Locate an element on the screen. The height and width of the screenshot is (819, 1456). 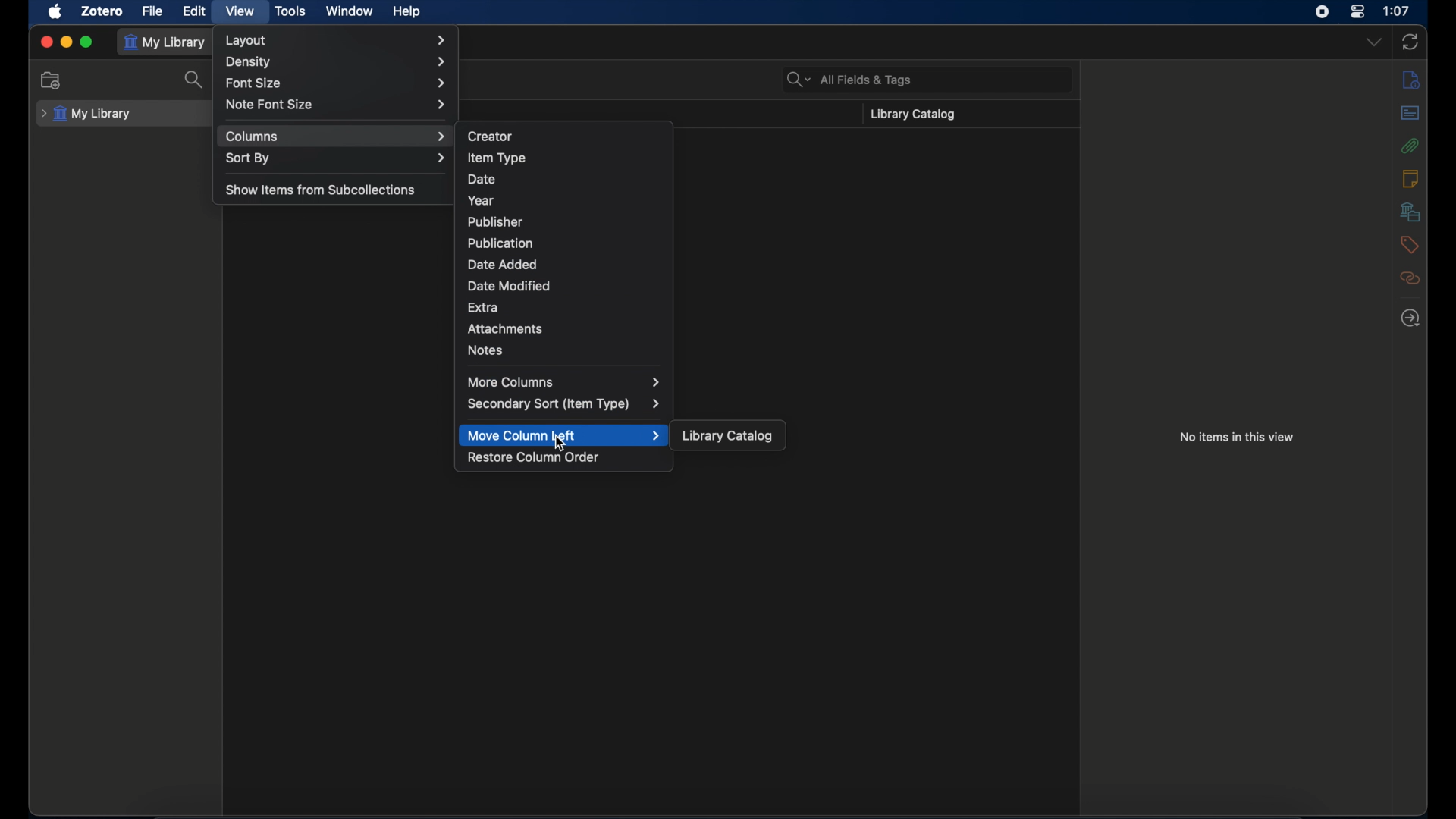
maximize is located at coordinates (86, 42).